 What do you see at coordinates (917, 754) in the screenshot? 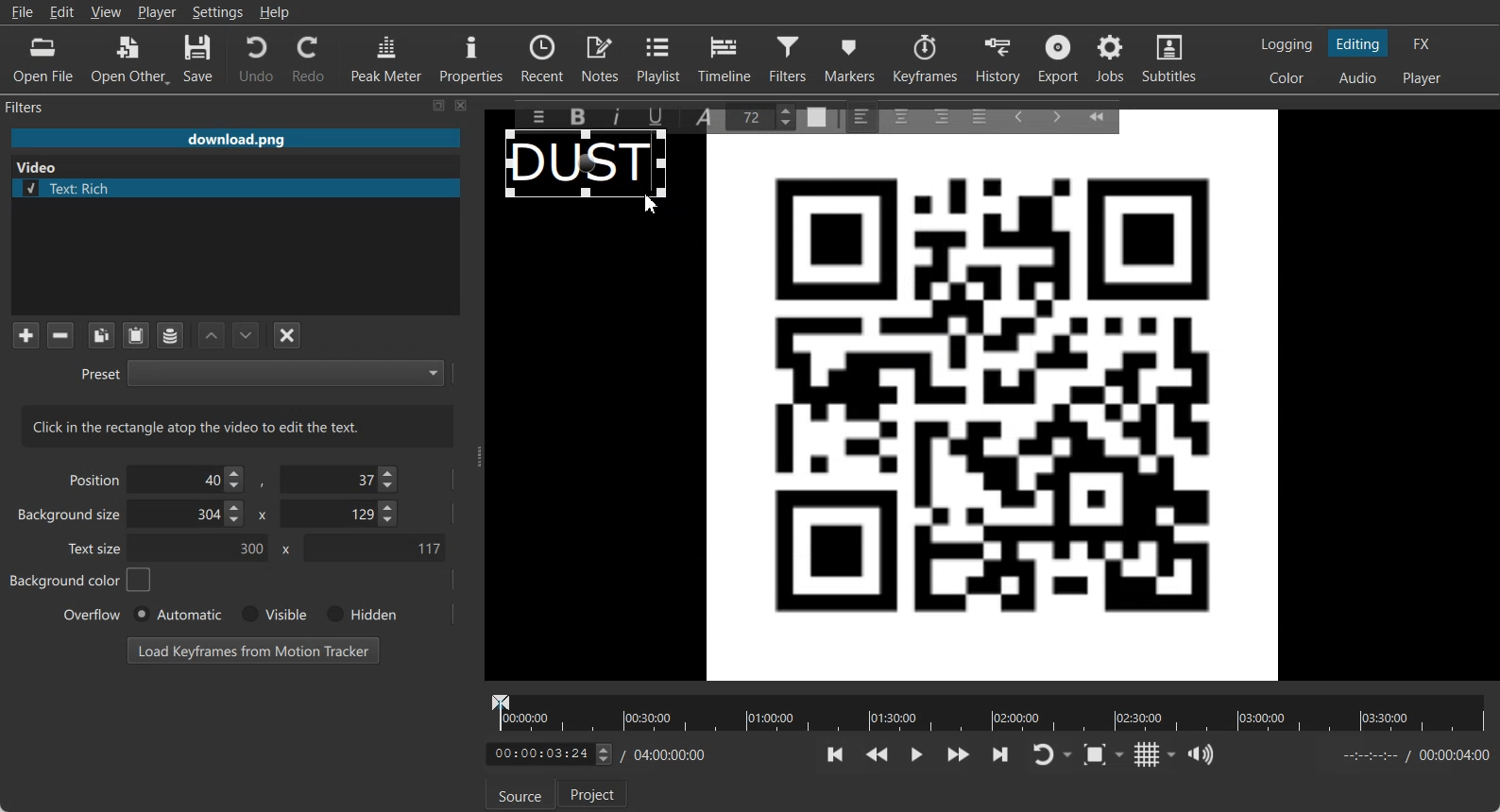
I see `Toggle play` at bounding box center [917, 754].